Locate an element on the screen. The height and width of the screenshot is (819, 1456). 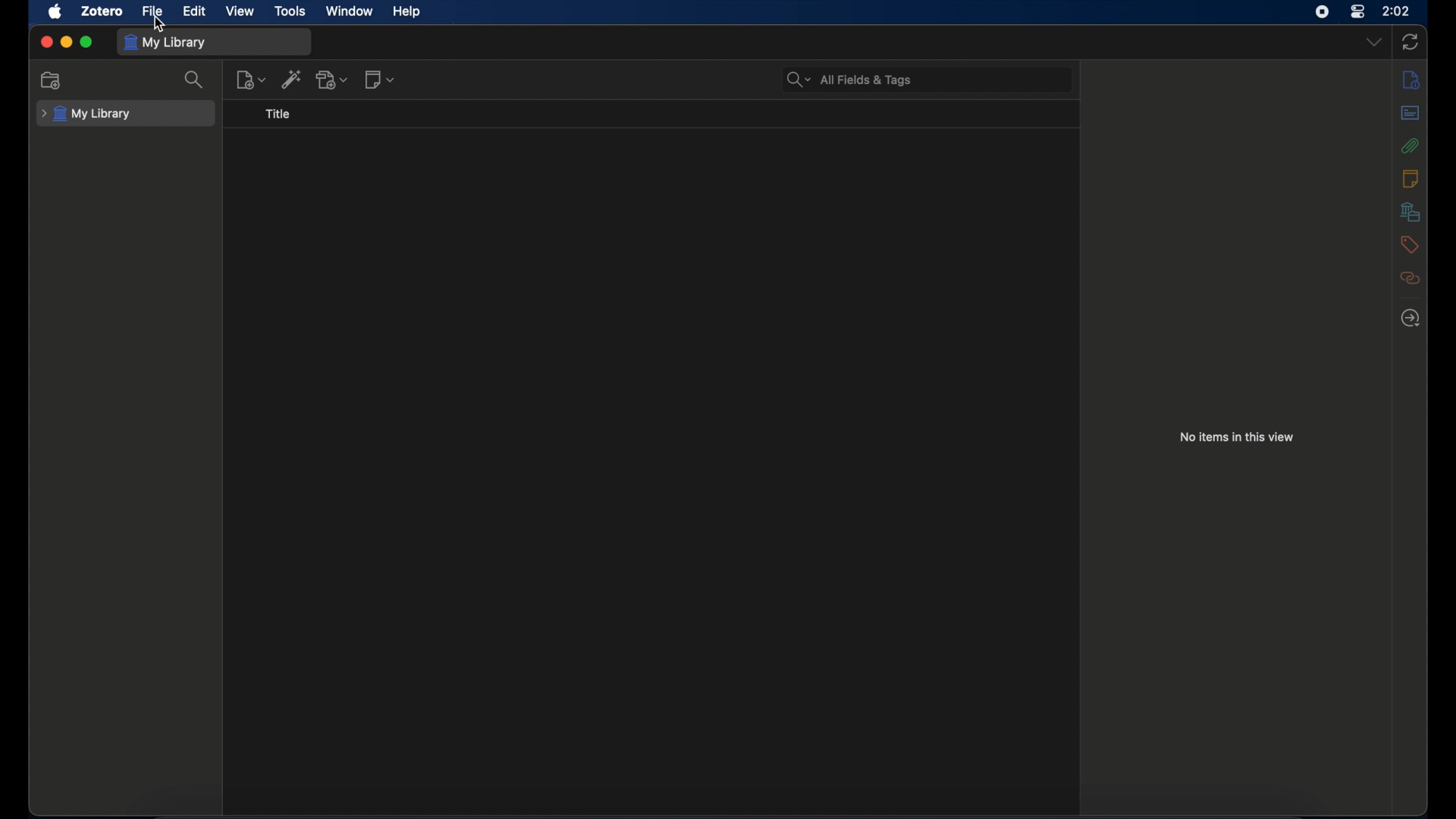
new notes is located at coordinates (251, 80).